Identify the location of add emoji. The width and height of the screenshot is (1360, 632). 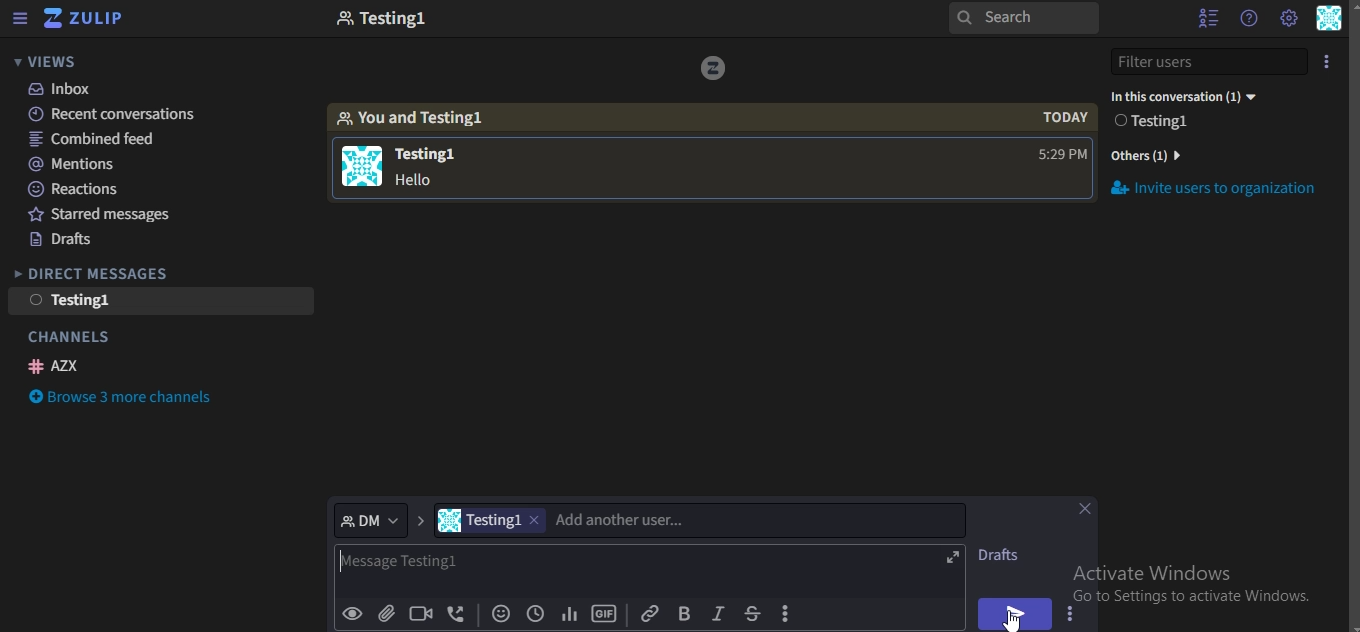
(502, 615).